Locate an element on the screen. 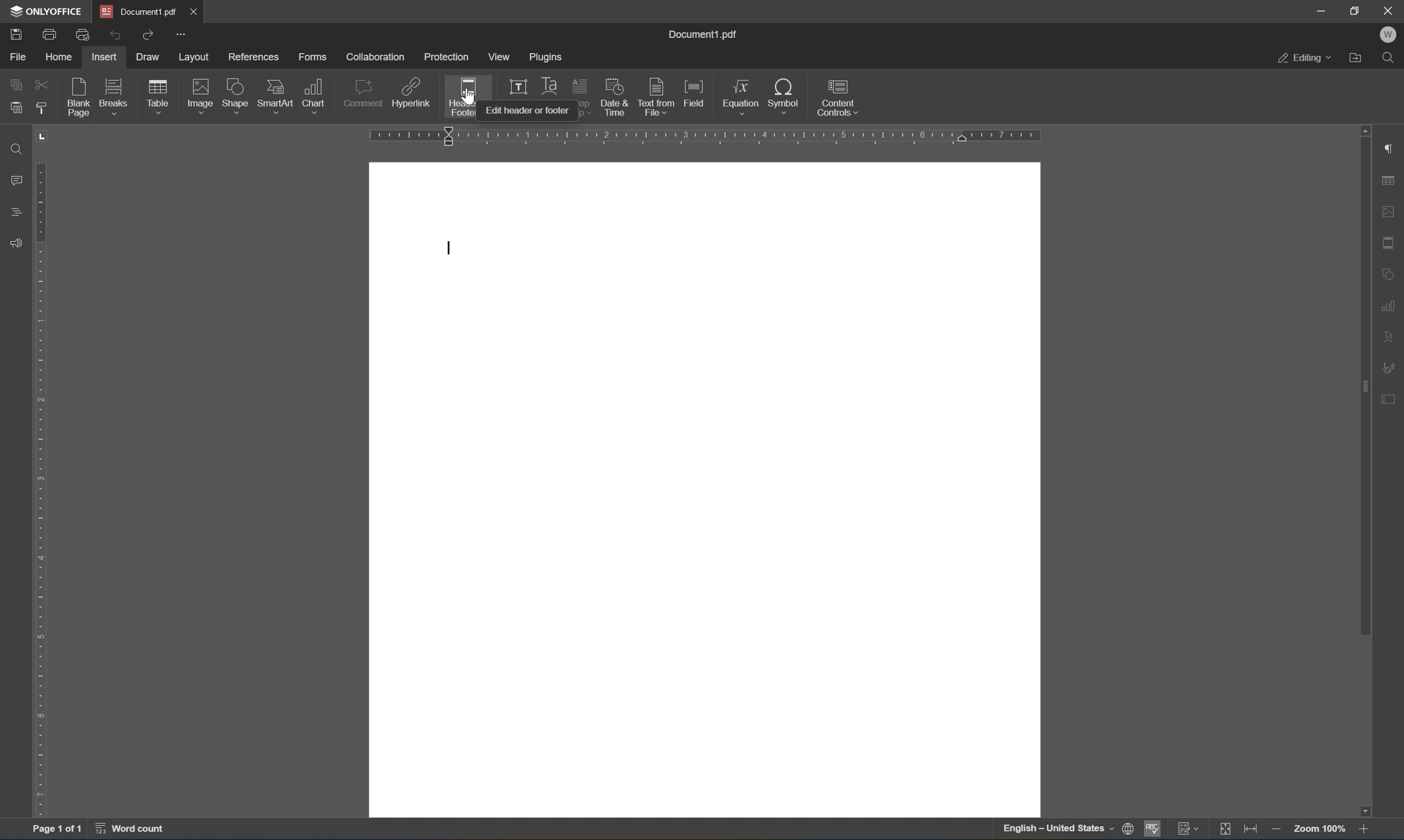 The image size is (1404, 840). page 1 of 1 is located at coordinates (59, 826).